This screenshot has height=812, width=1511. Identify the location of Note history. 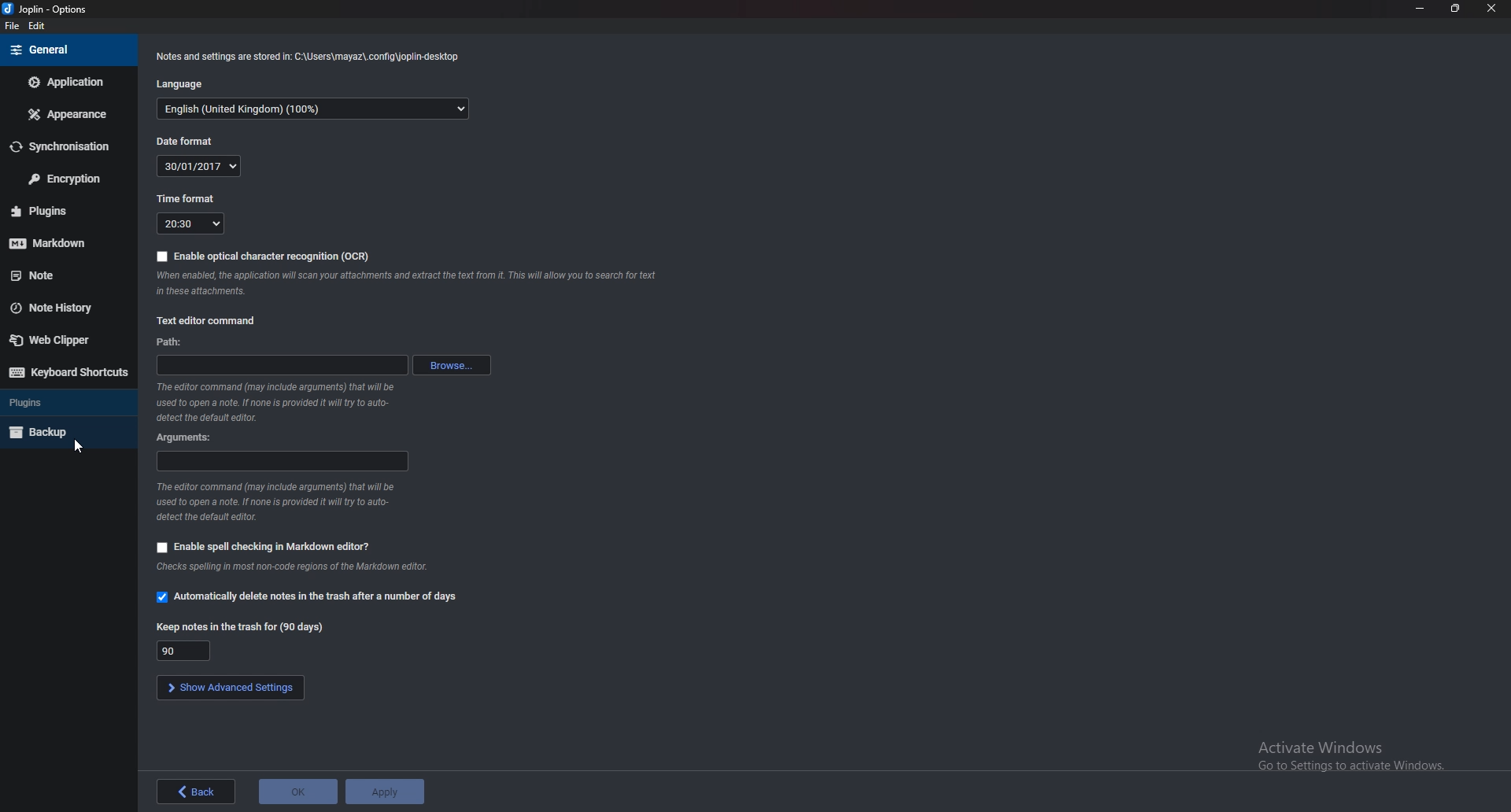
(65, 308).